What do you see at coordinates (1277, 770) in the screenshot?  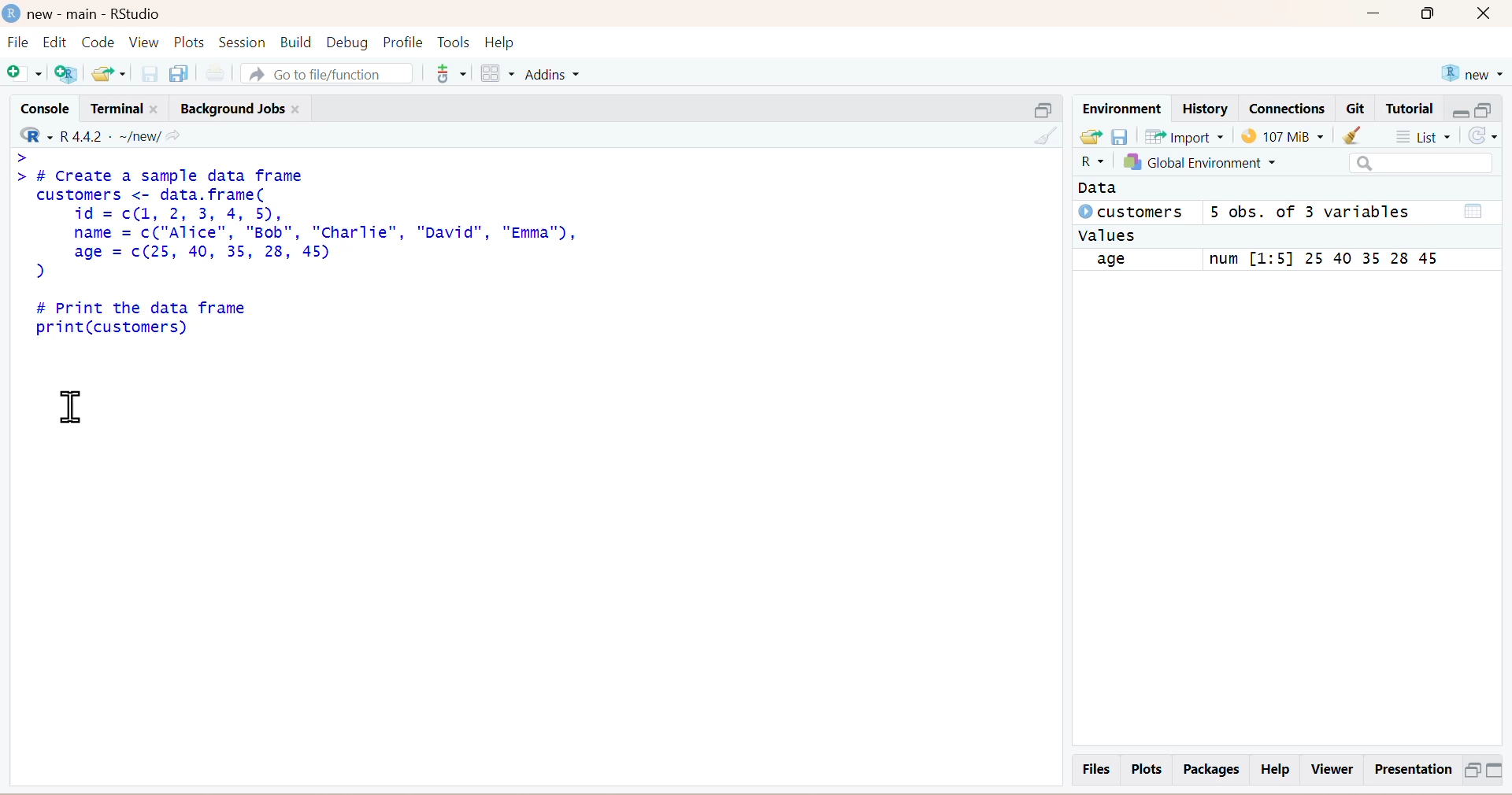 I see `Help` at bounding box center [1277, 770].